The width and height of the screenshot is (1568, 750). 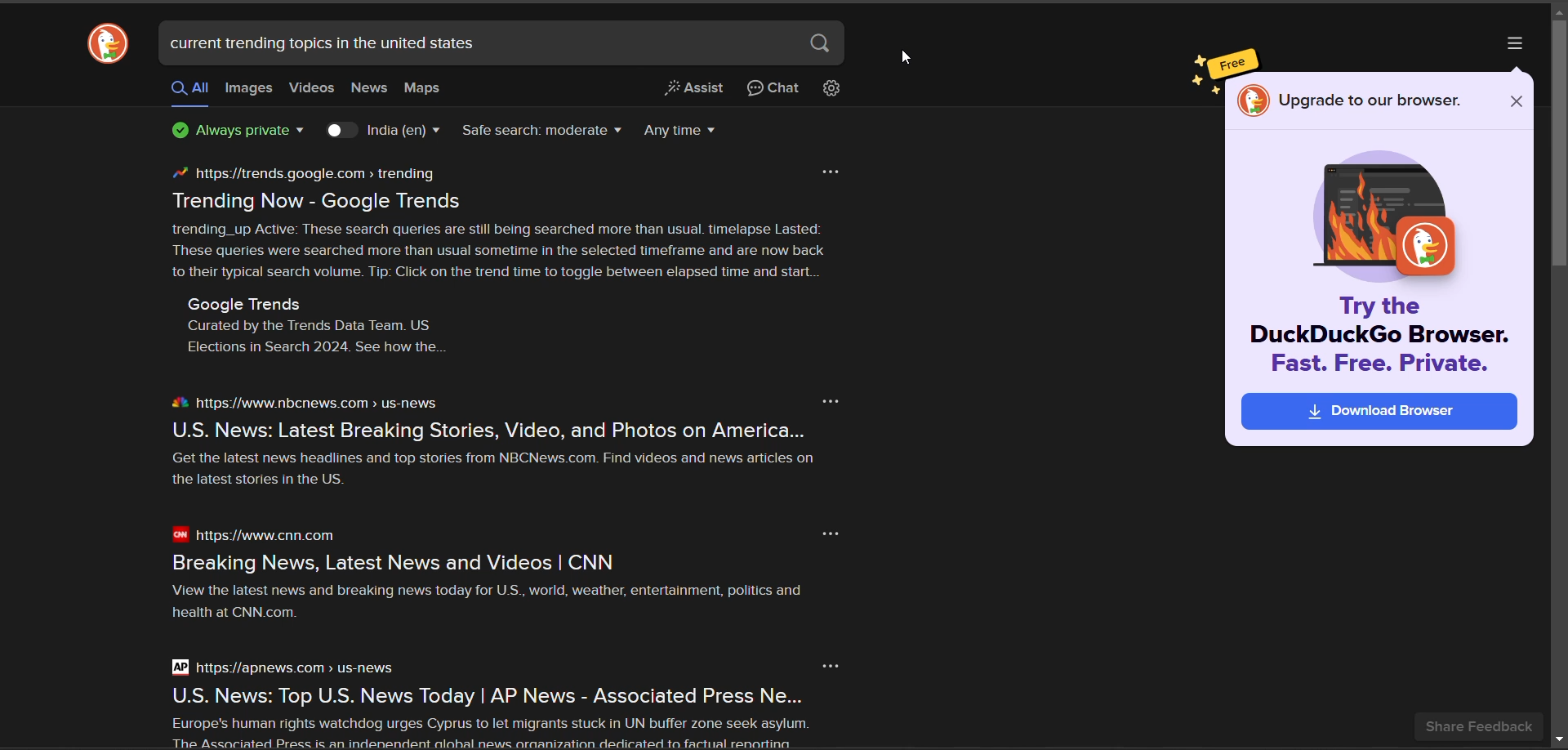 I want to click on share feedback, so click(x=1479, y=726).